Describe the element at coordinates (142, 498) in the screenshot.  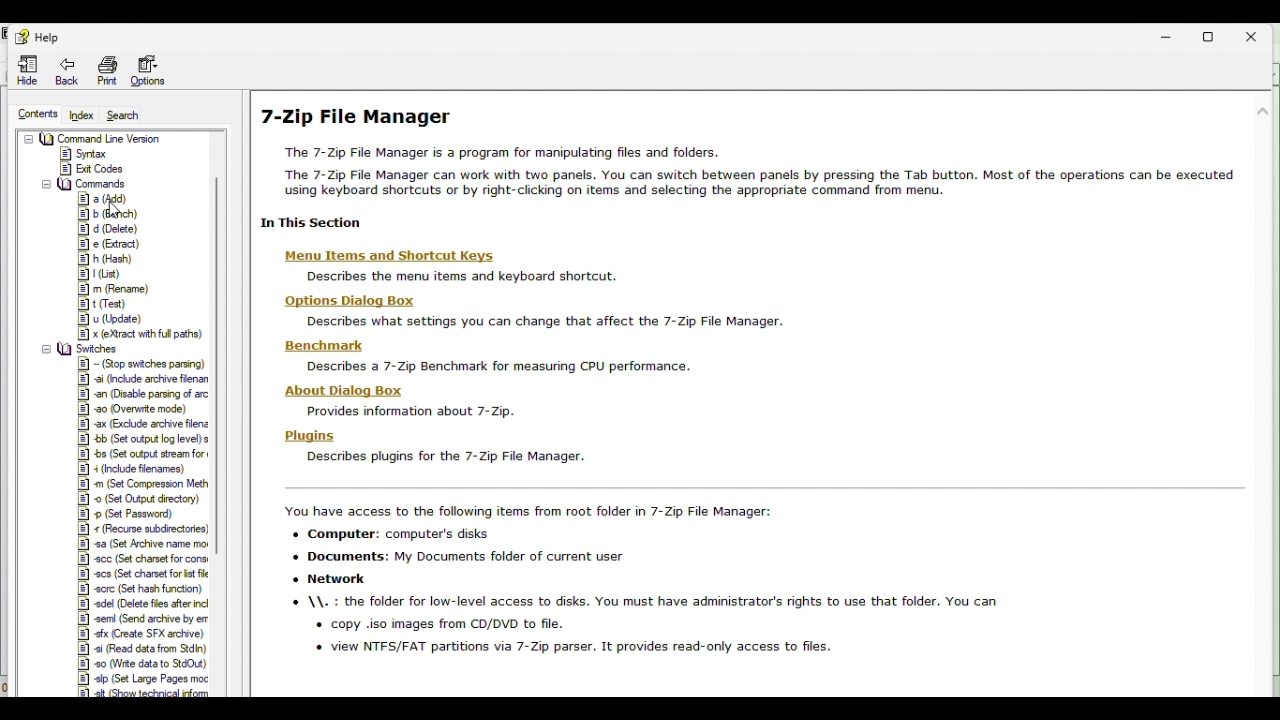
I see `-o` at that location.